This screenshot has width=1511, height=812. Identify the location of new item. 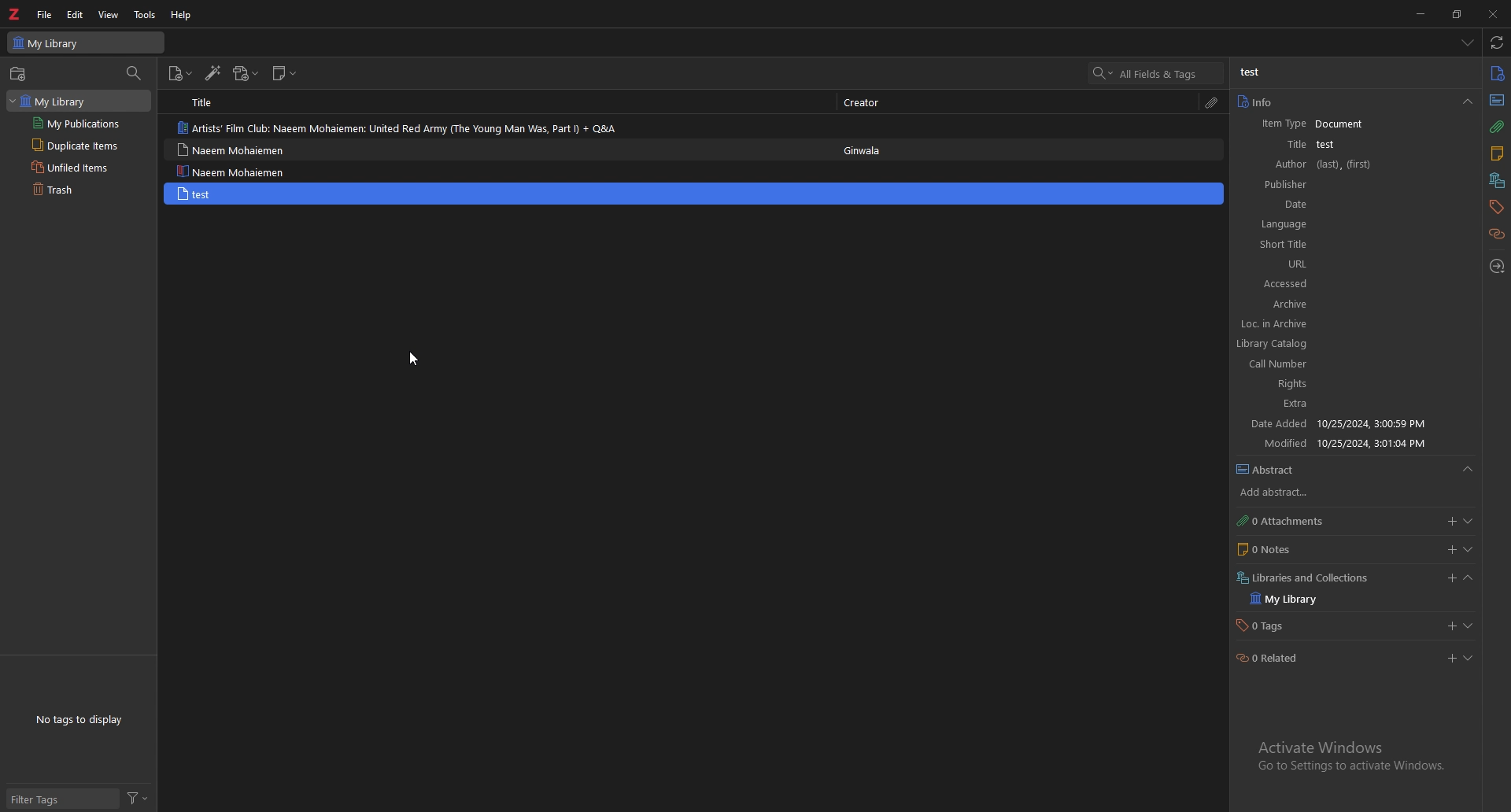
(181, 74).